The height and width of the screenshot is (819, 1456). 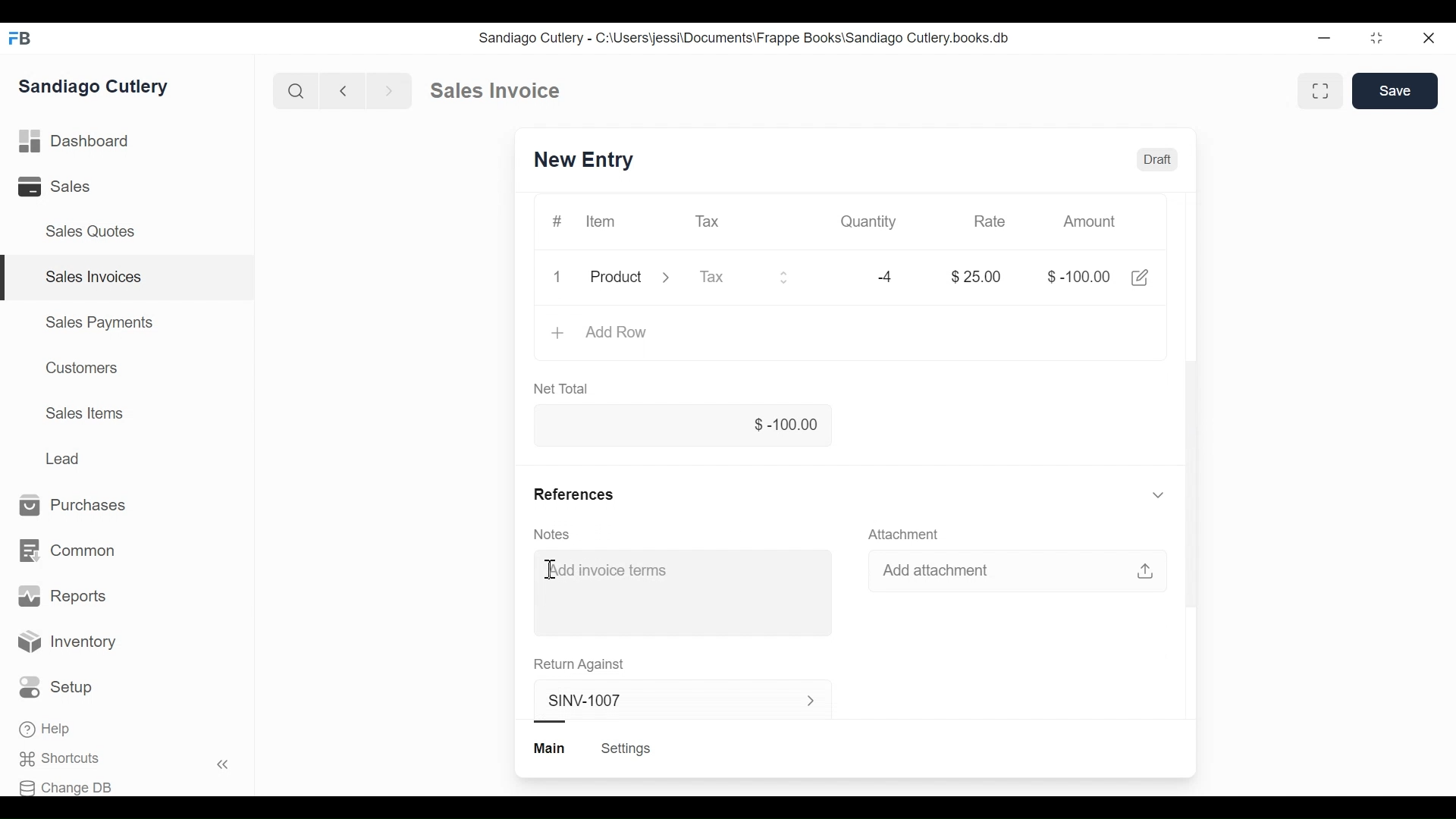 What do you see at coordinates (95, 277) in the screenshot?
I see `Sales Invoices` at bounding box center [95, 277].